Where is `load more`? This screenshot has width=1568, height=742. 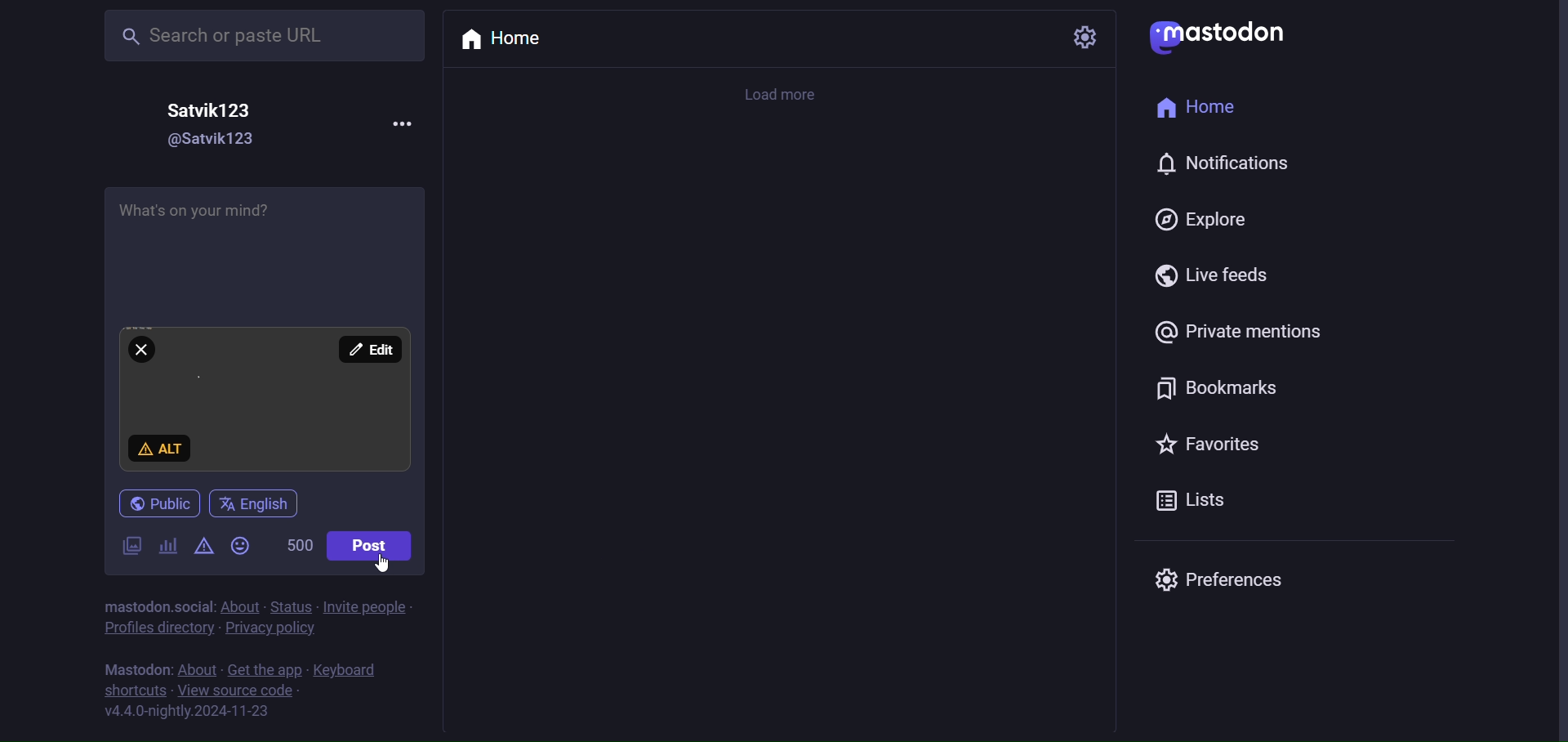 load more is located at coordinates (787, 92).